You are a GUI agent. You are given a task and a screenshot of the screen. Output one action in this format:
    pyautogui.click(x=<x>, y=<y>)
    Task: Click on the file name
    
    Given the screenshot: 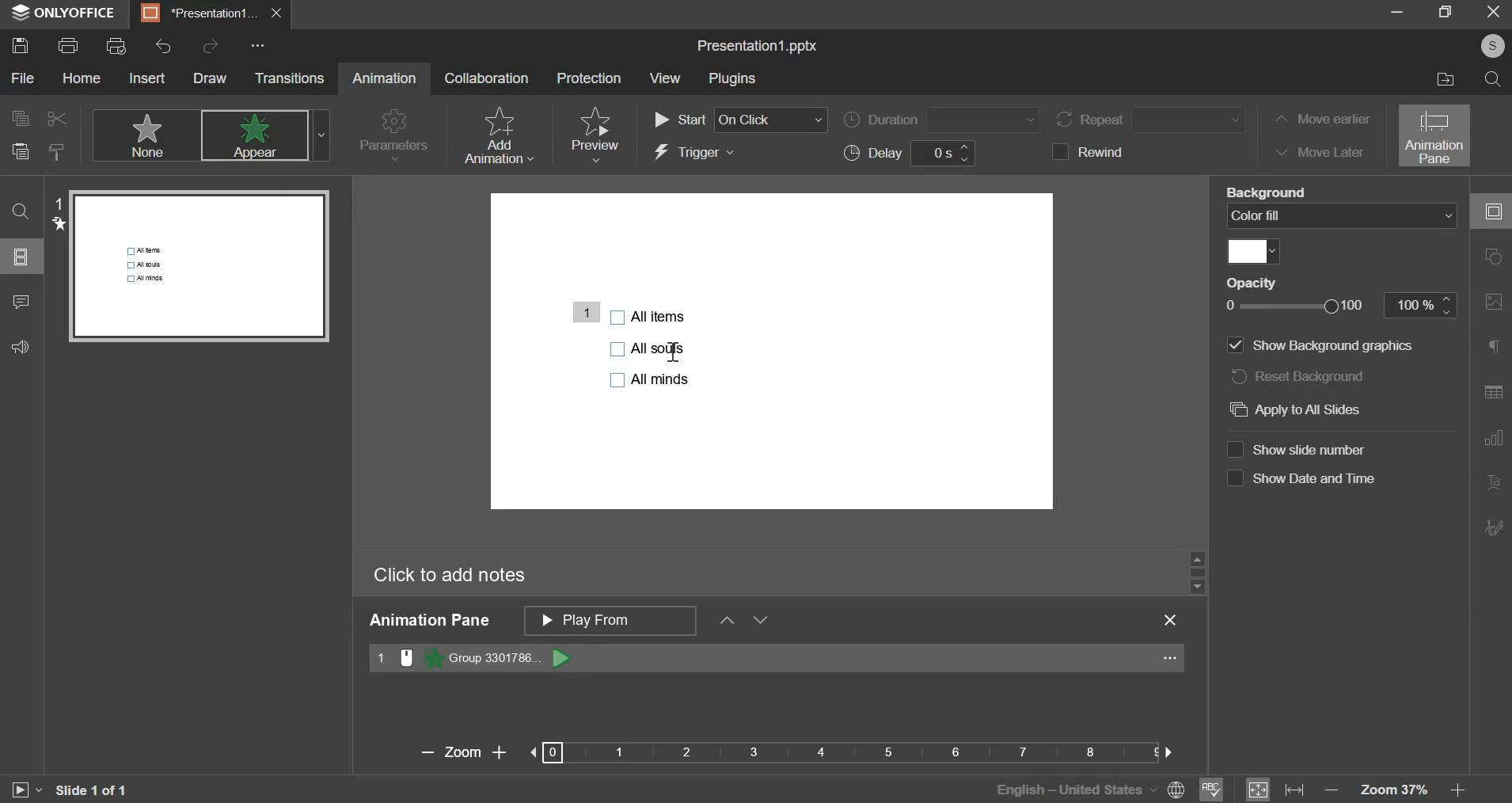 What is the action you would take?
    pyautogui.click(x=758, y=47)
    